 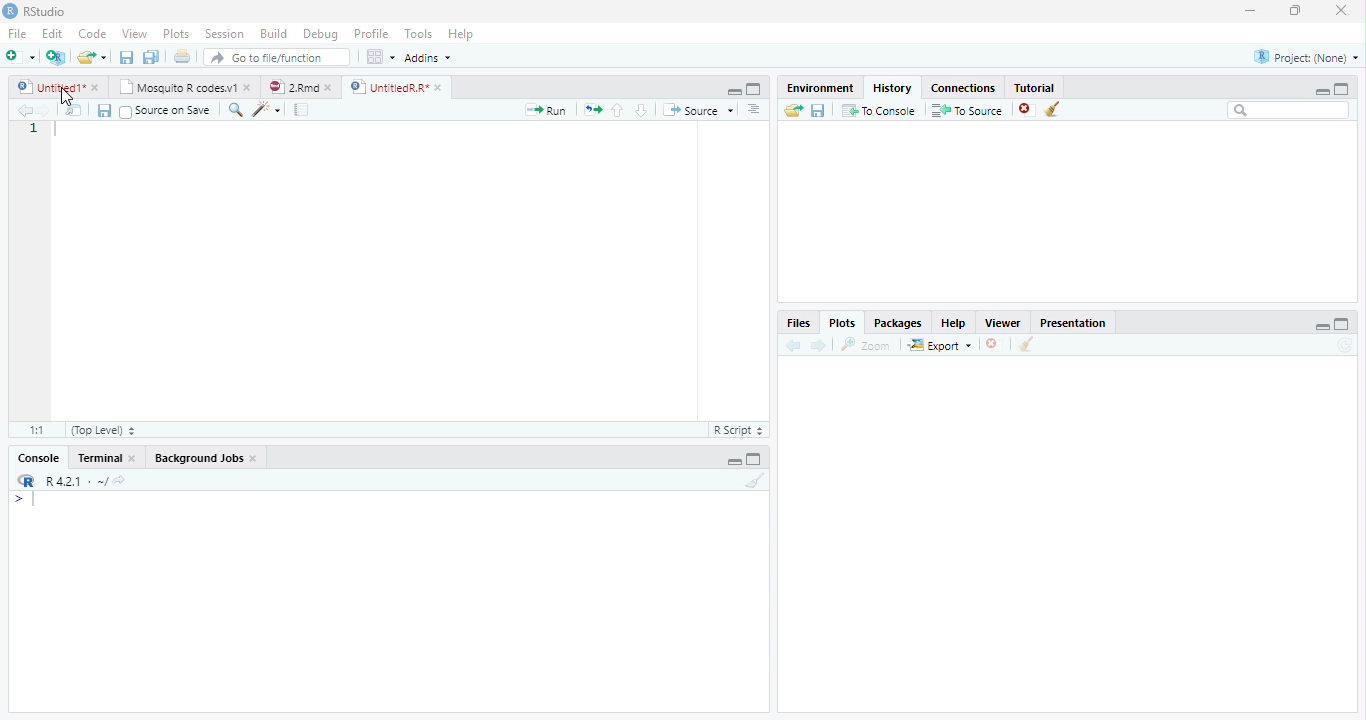 I want to click on Show in new window, so click(x=73, y=113).